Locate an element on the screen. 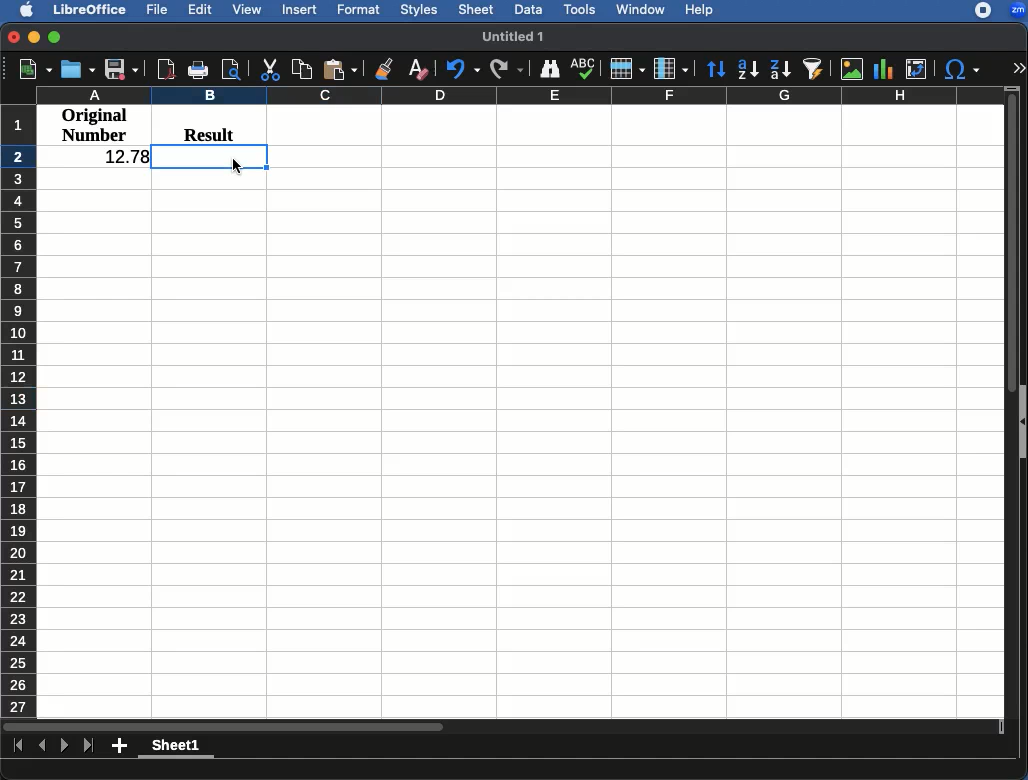 The image size is (1028, 780). Edit is located at coordinates (201, 11).